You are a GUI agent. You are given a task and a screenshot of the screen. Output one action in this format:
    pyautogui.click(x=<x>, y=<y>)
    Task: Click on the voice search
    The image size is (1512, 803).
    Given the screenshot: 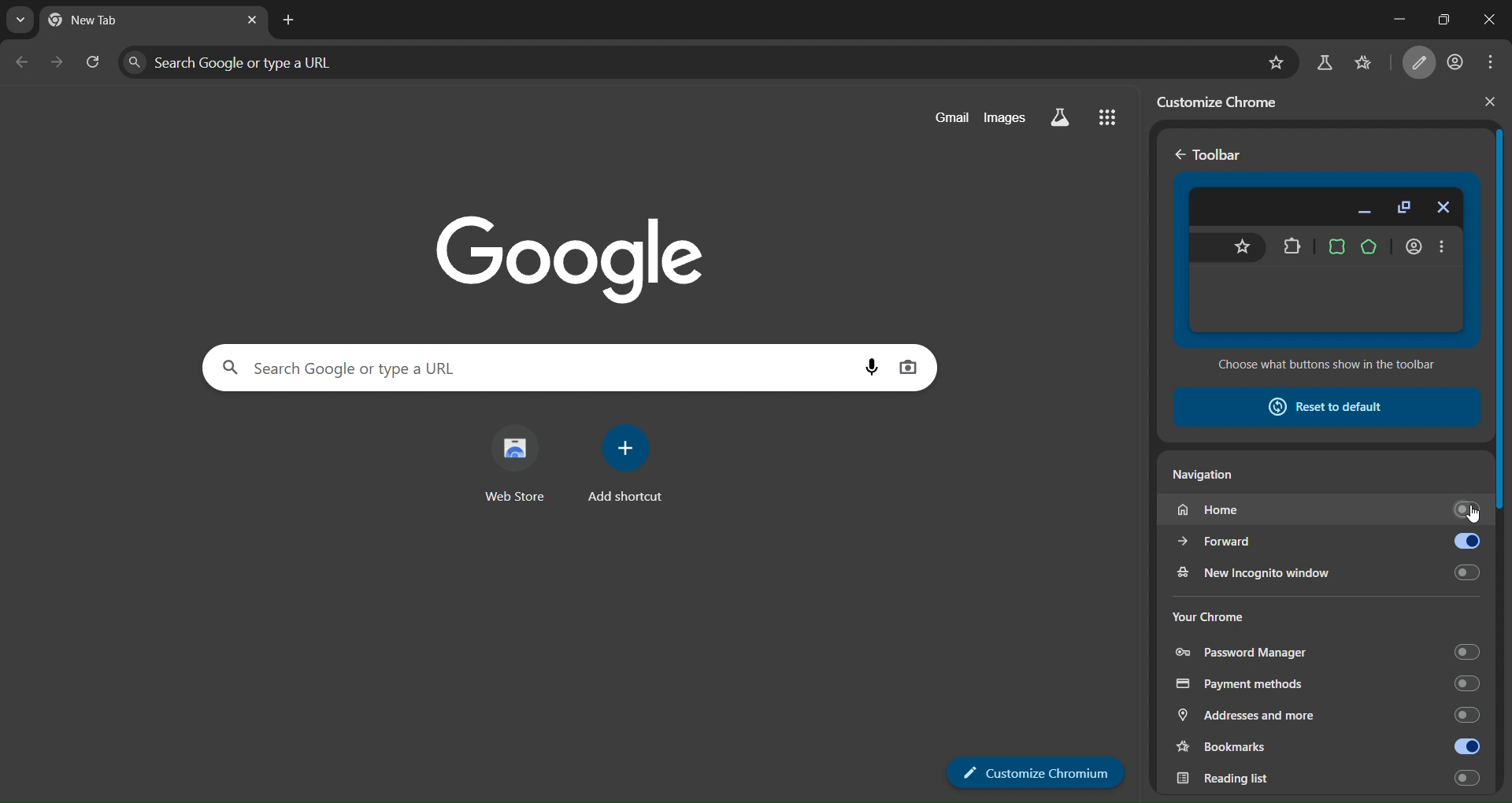 What is the action you would take?
    pyautogui.click(x=864, y=364)
    